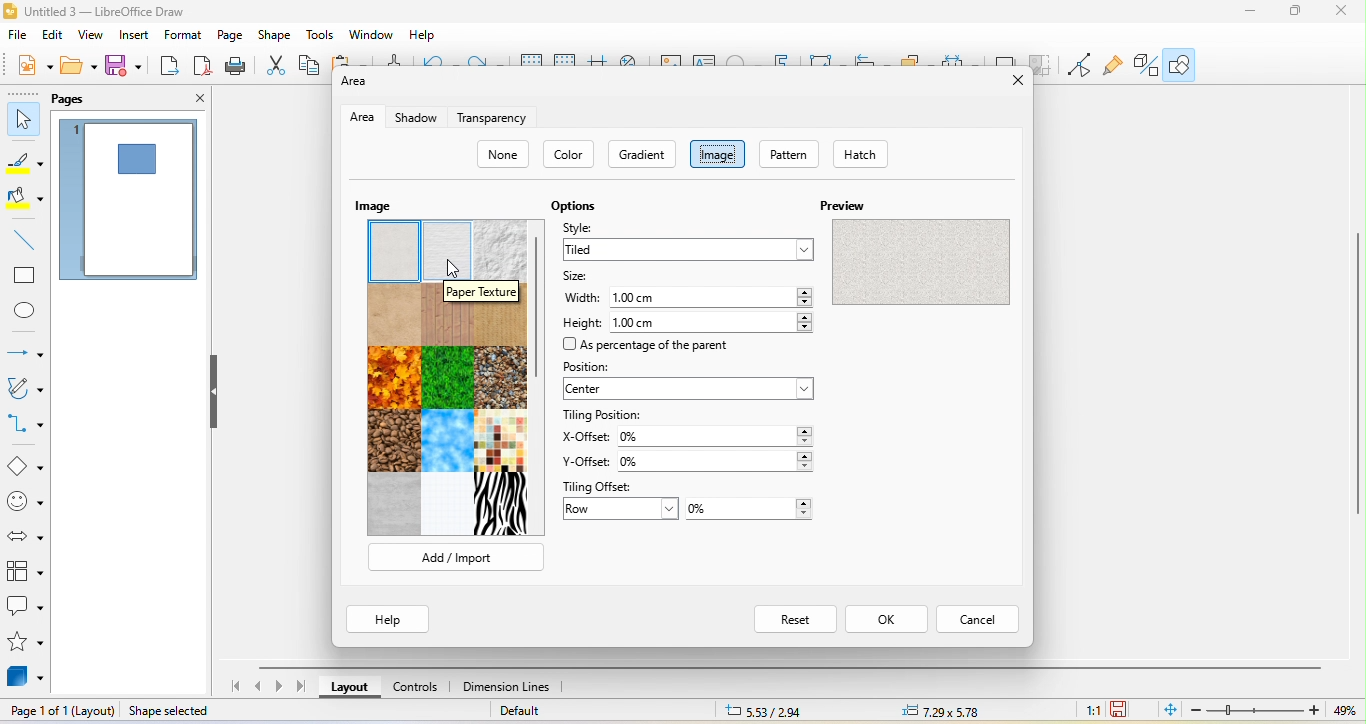 The width and height of the screenshot is (1366, 724). What do you see at coordinates (585, 438) in the screenshot?
I see `x offset` at bounding box center [585, 438].